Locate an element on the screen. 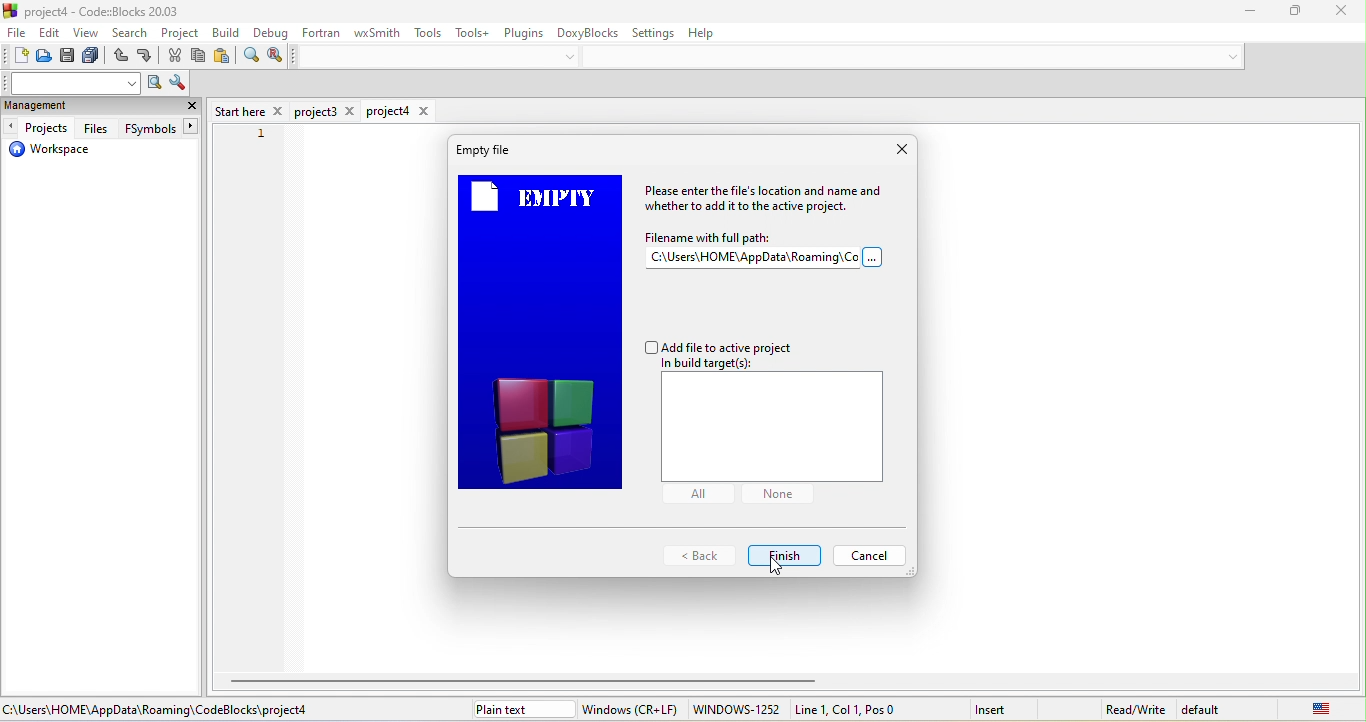 Image resolution: width=1366 pixels, height=722 pixels. close is located at coordinates (192, 108).